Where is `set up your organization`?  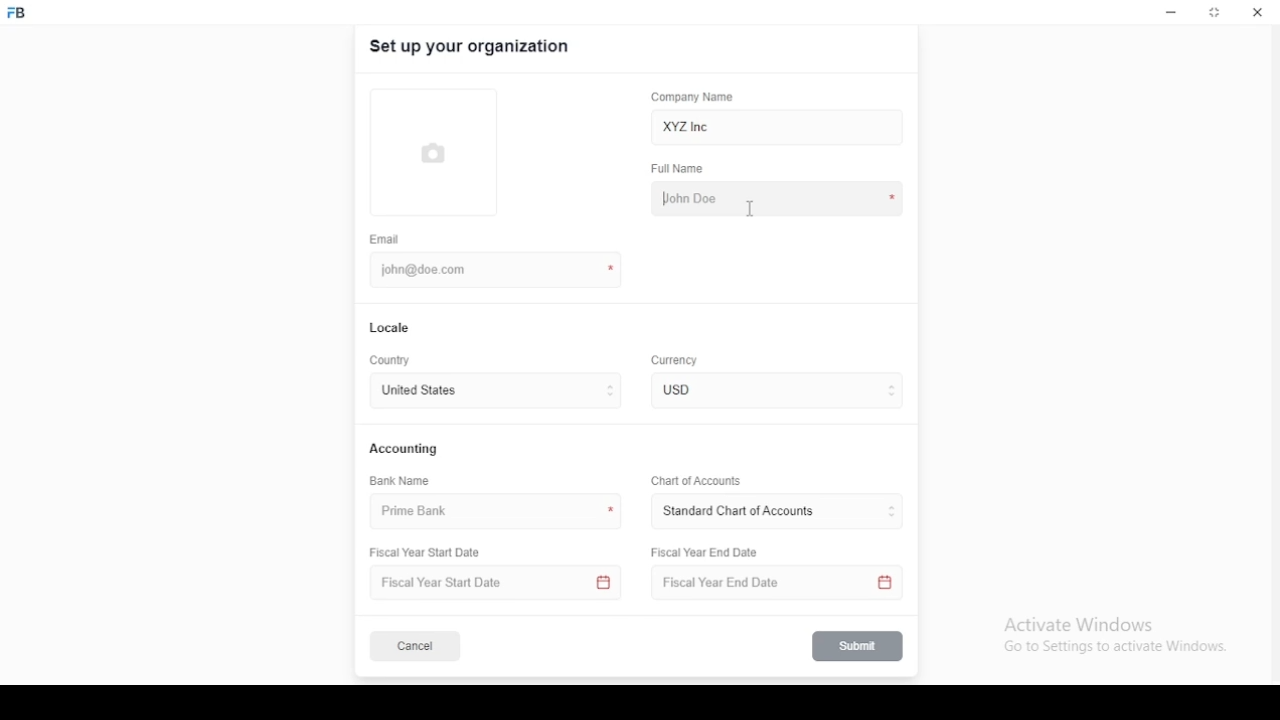 set up your organization is located at coordinates (471, 47).